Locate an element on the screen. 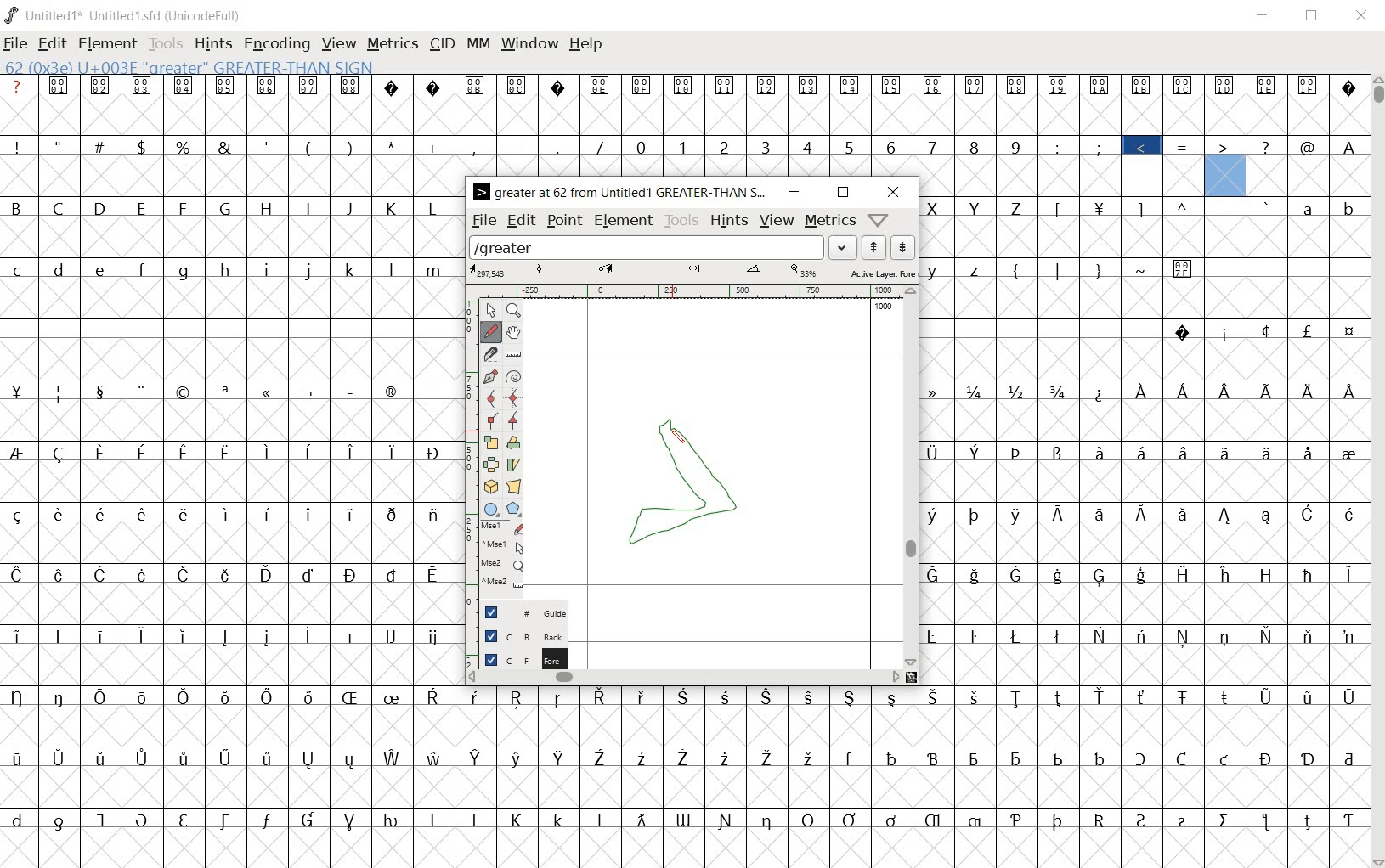  polygon or star is located at coordinates (514, 508).